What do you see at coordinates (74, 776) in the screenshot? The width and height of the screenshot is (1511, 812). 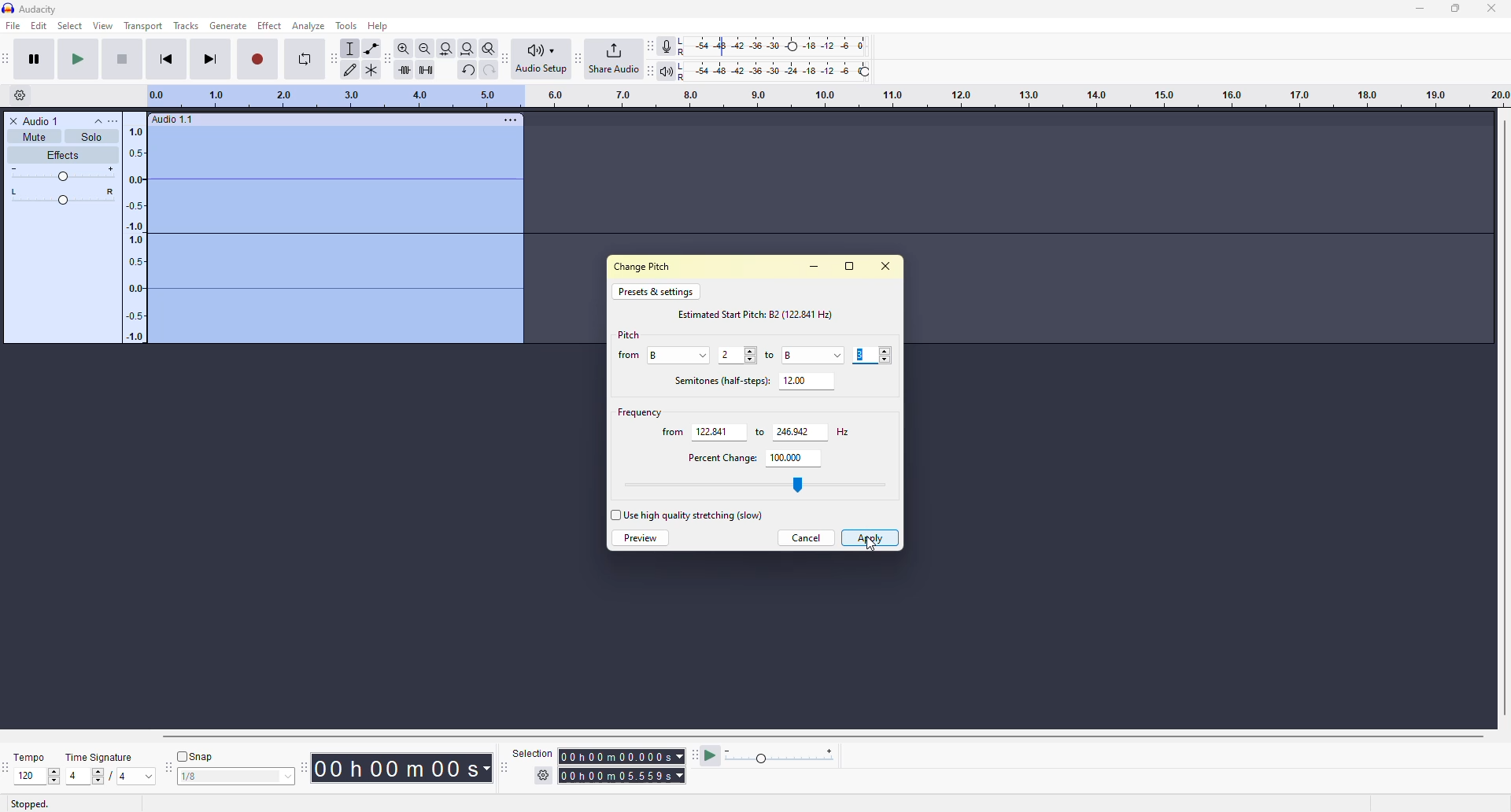 I see `4` at bounding box center [74, 776].